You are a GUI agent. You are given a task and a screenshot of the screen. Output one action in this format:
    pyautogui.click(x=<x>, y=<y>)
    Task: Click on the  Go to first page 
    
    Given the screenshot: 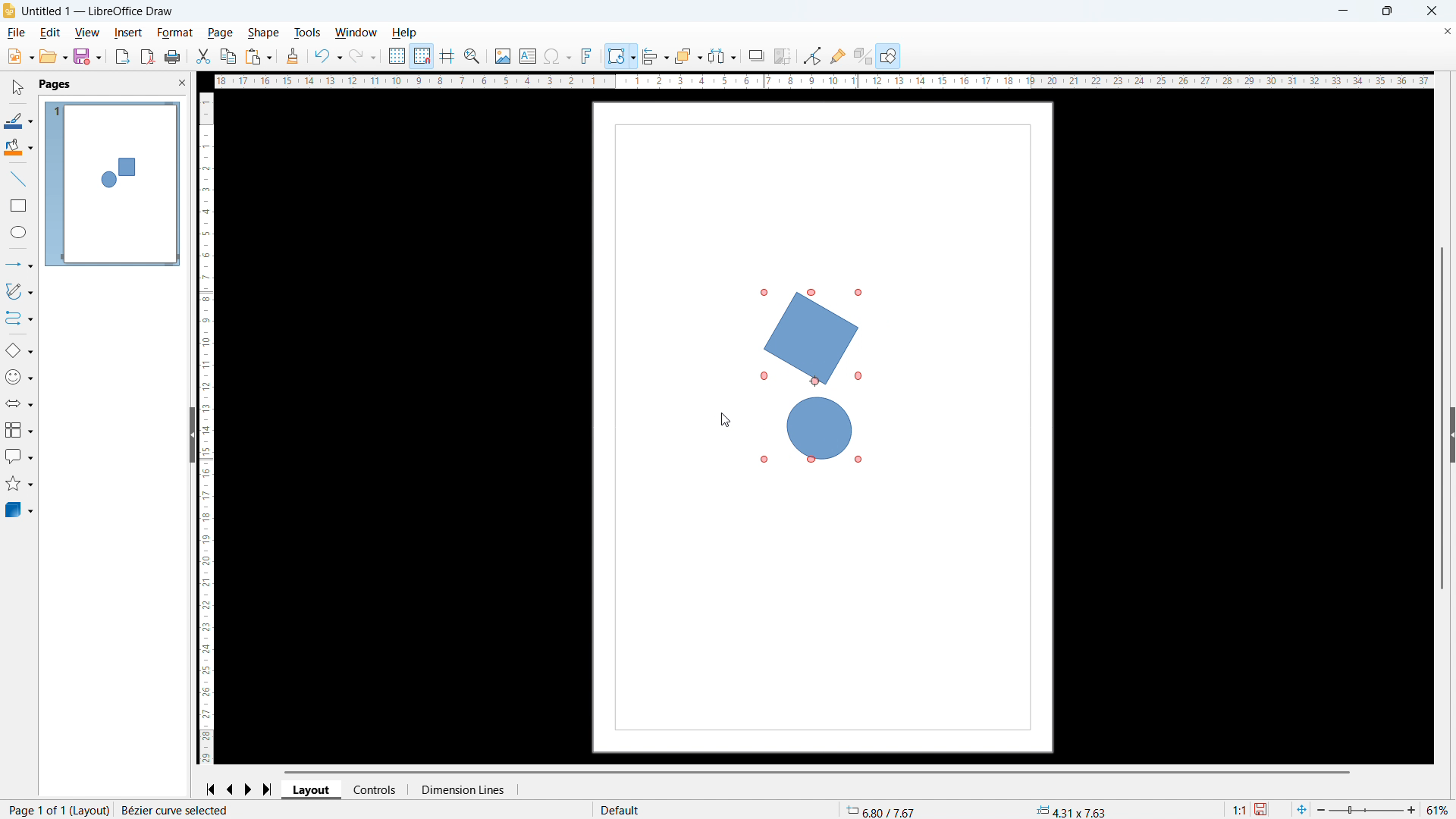 What is the action you would take?
    pyautogui.click(x=212, y=790)
    